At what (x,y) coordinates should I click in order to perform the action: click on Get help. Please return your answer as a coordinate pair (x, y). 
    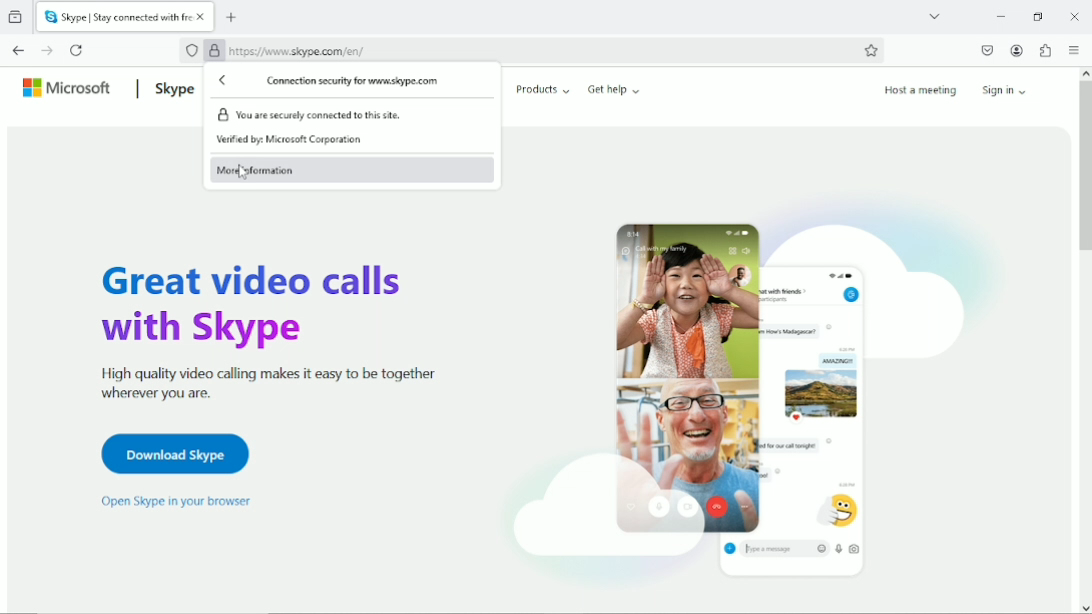
    Looking at the image, I should click on (614, 89).